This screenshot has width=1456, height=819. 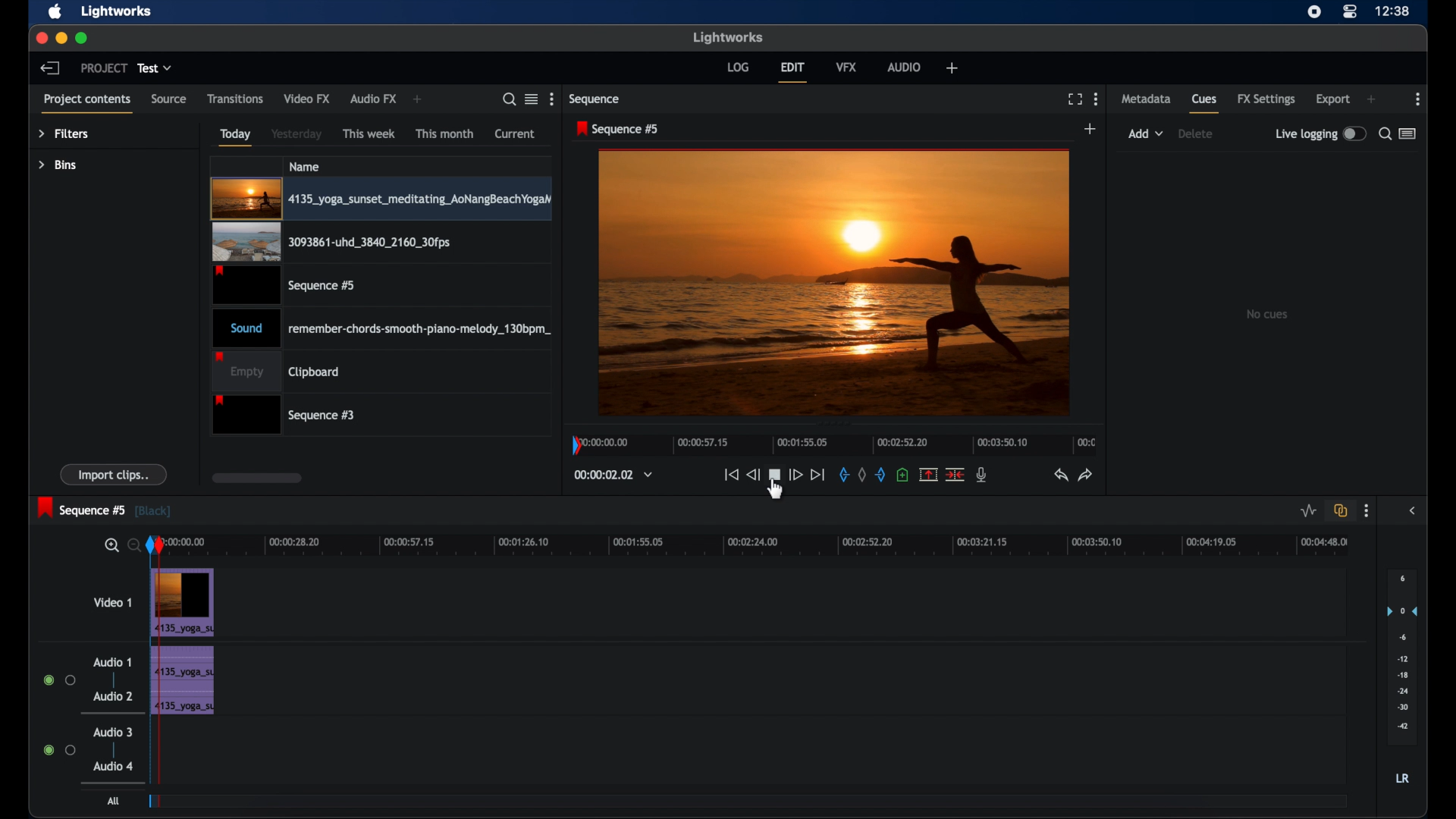 I want to click on test dropdown, so click(x=155, y=67).